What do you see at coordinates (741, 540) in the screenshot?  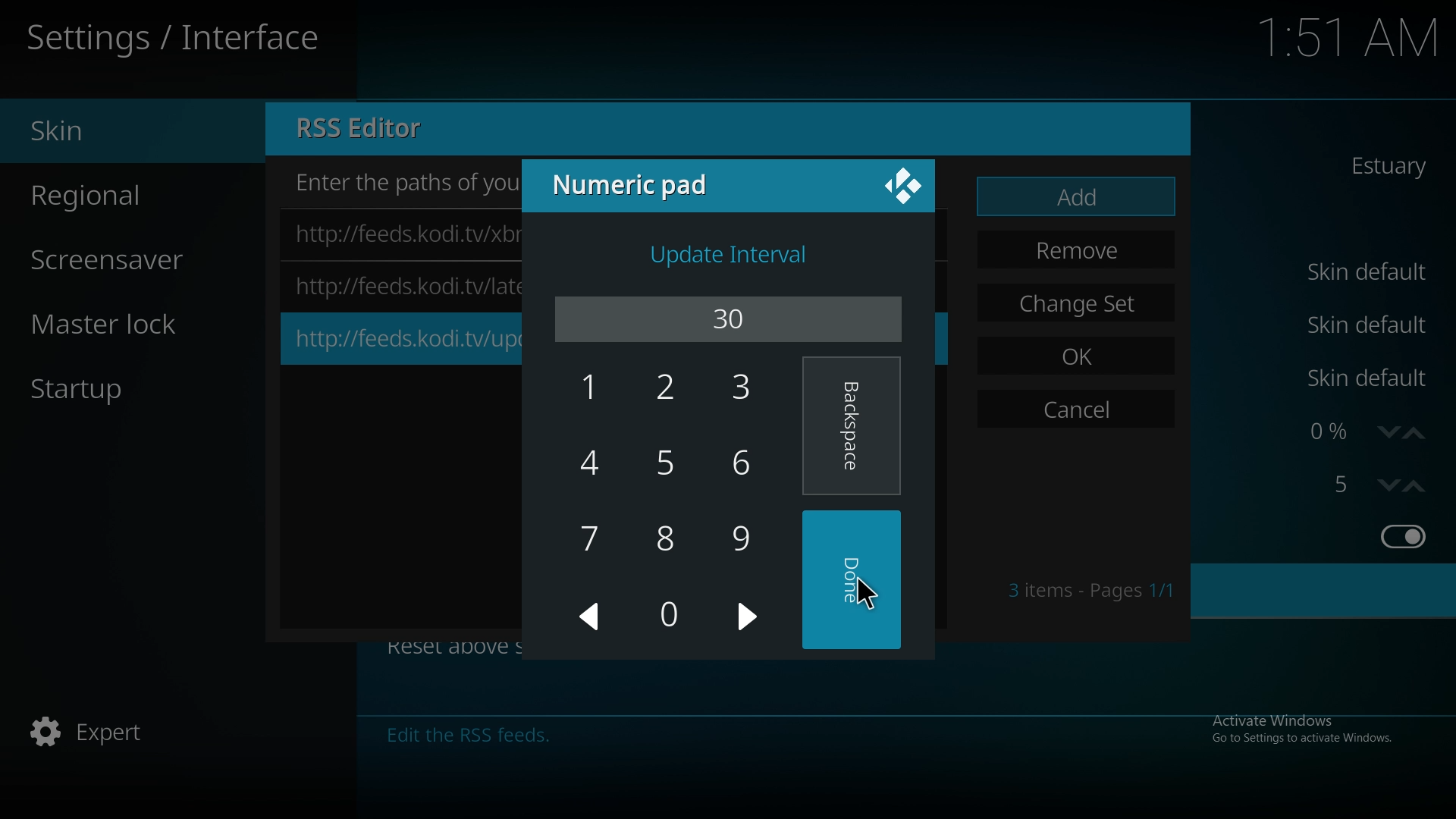 I see `9` at bounding box center [741, 540].